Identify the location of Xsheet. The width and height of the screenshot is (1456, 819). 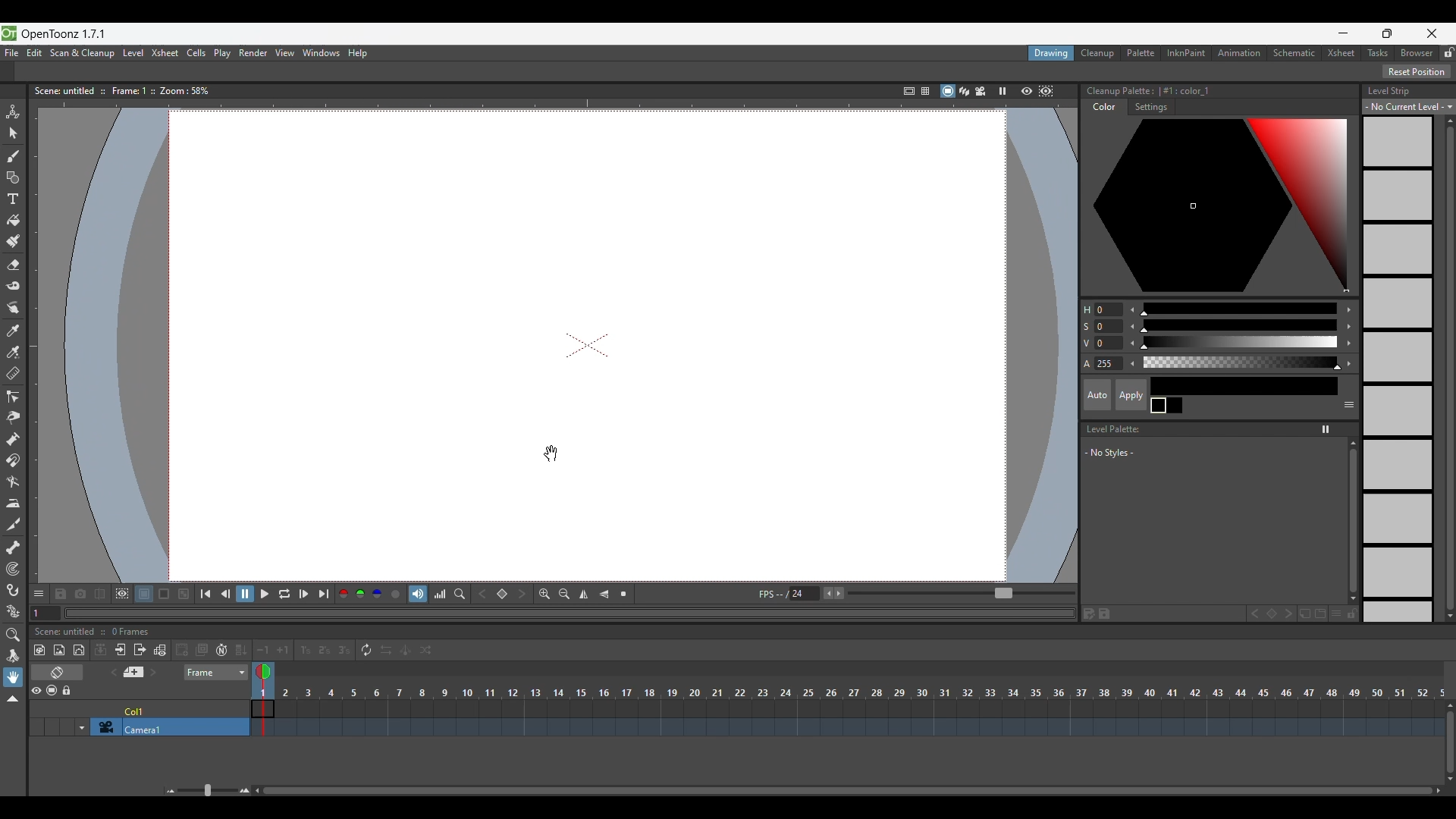
(1341, 53).